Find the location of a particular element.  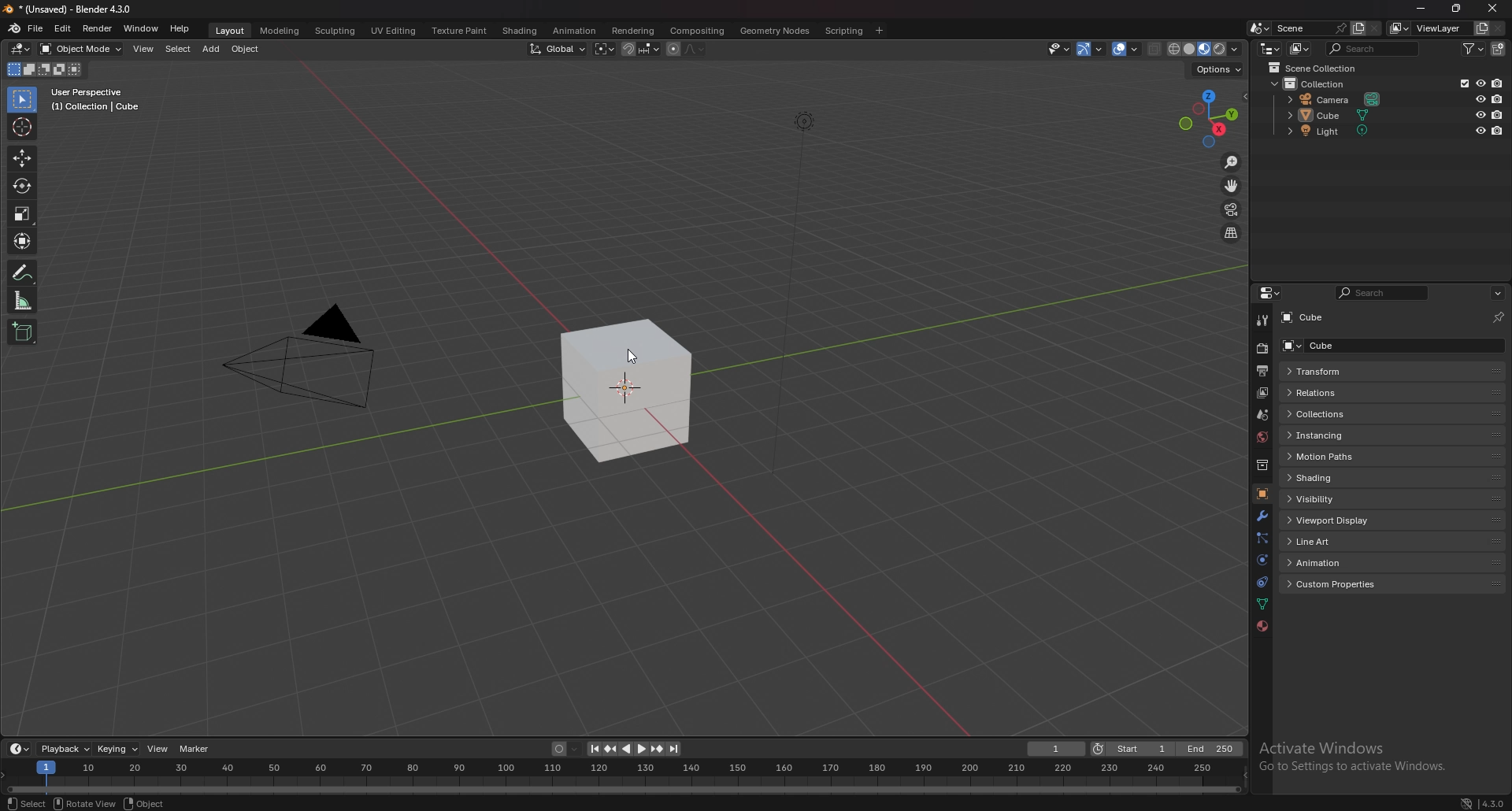

cursor is located at coordinates (636, 358).